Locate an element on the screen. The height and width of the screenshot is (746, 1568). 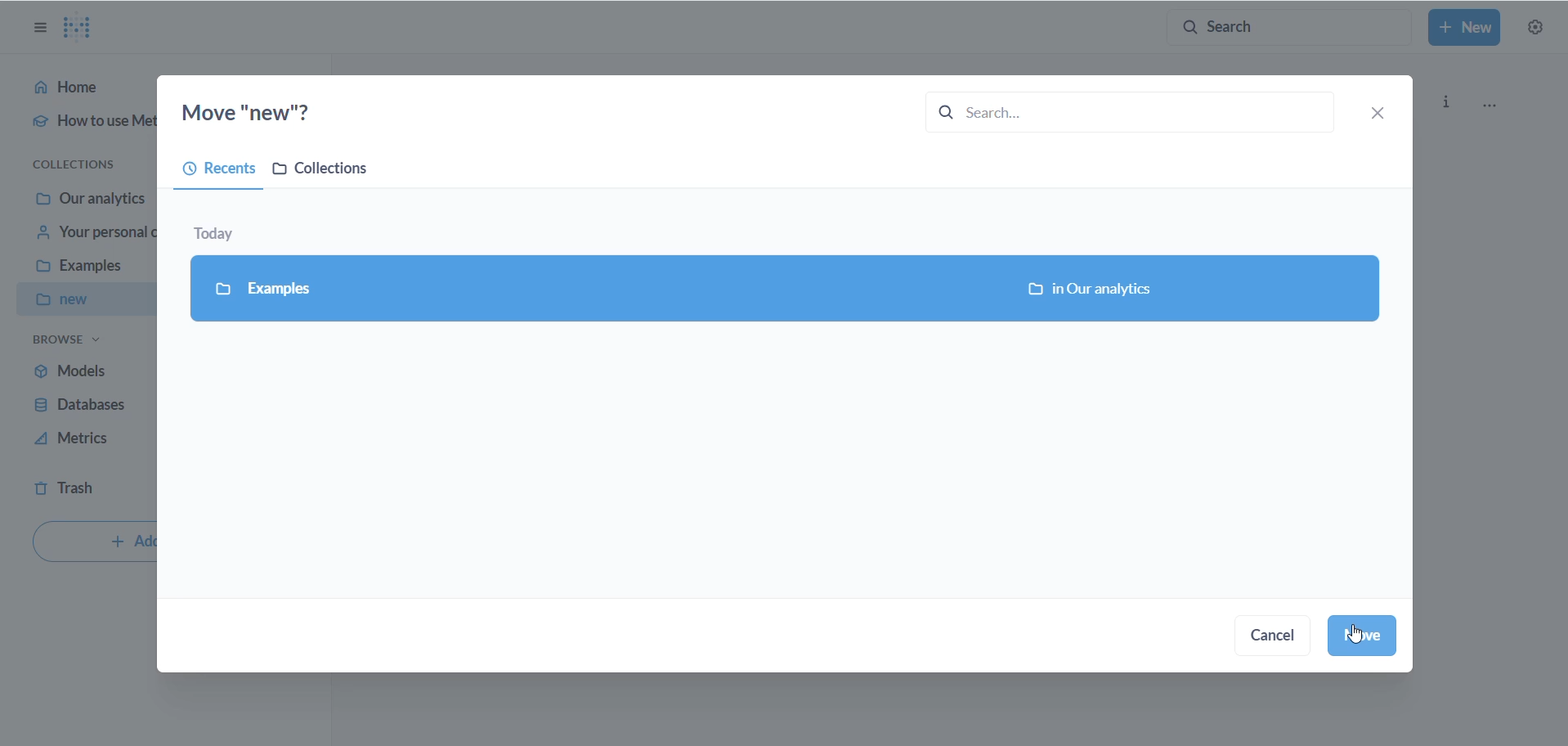
how to use metabase is located at coordinates (82, 127).